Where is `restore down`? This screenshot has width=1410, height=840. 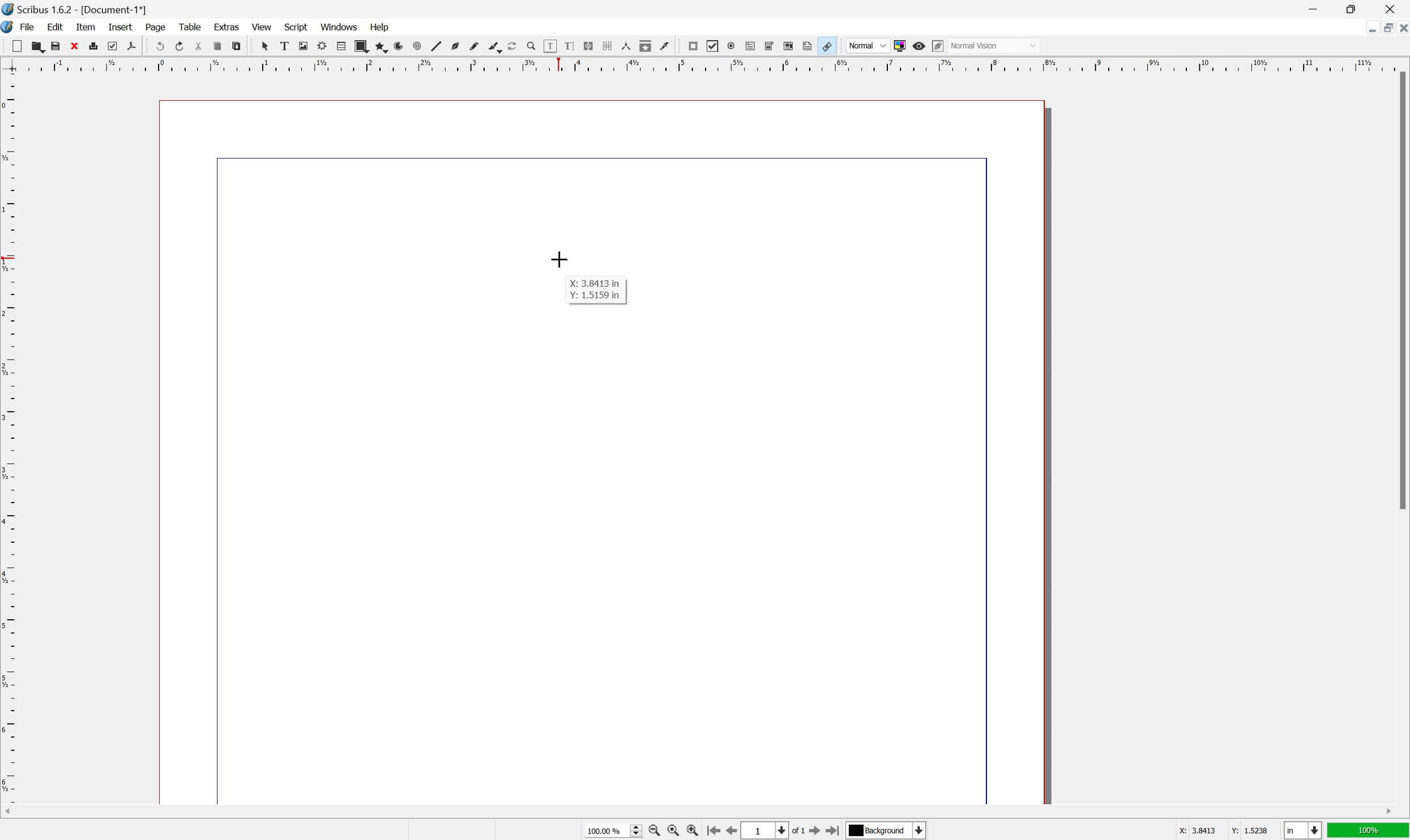 restore down is located at coordinates (1383, 28).